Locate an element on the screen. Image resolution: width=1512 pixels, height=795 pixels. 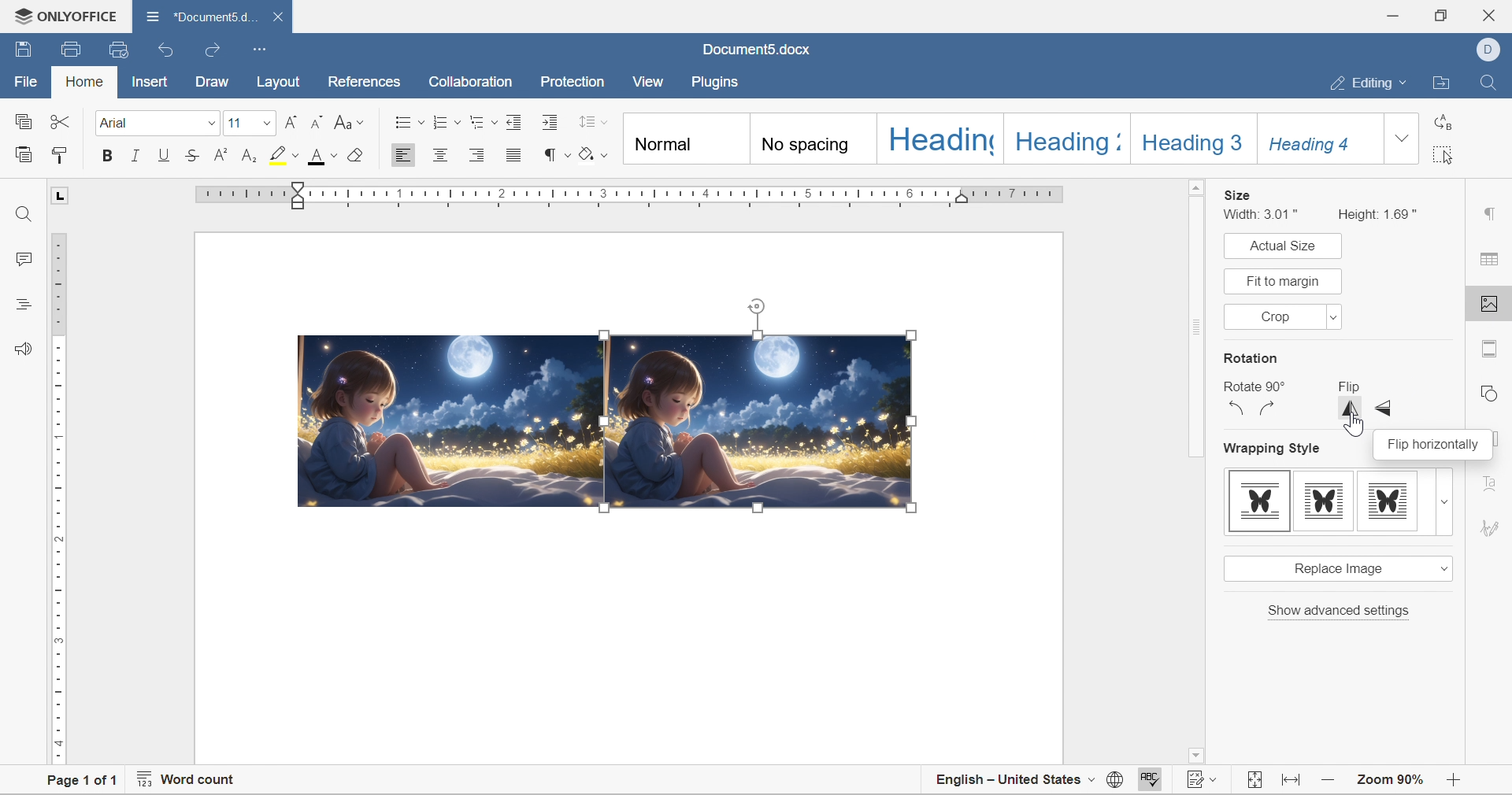
L is located at coordinates (59, 194).